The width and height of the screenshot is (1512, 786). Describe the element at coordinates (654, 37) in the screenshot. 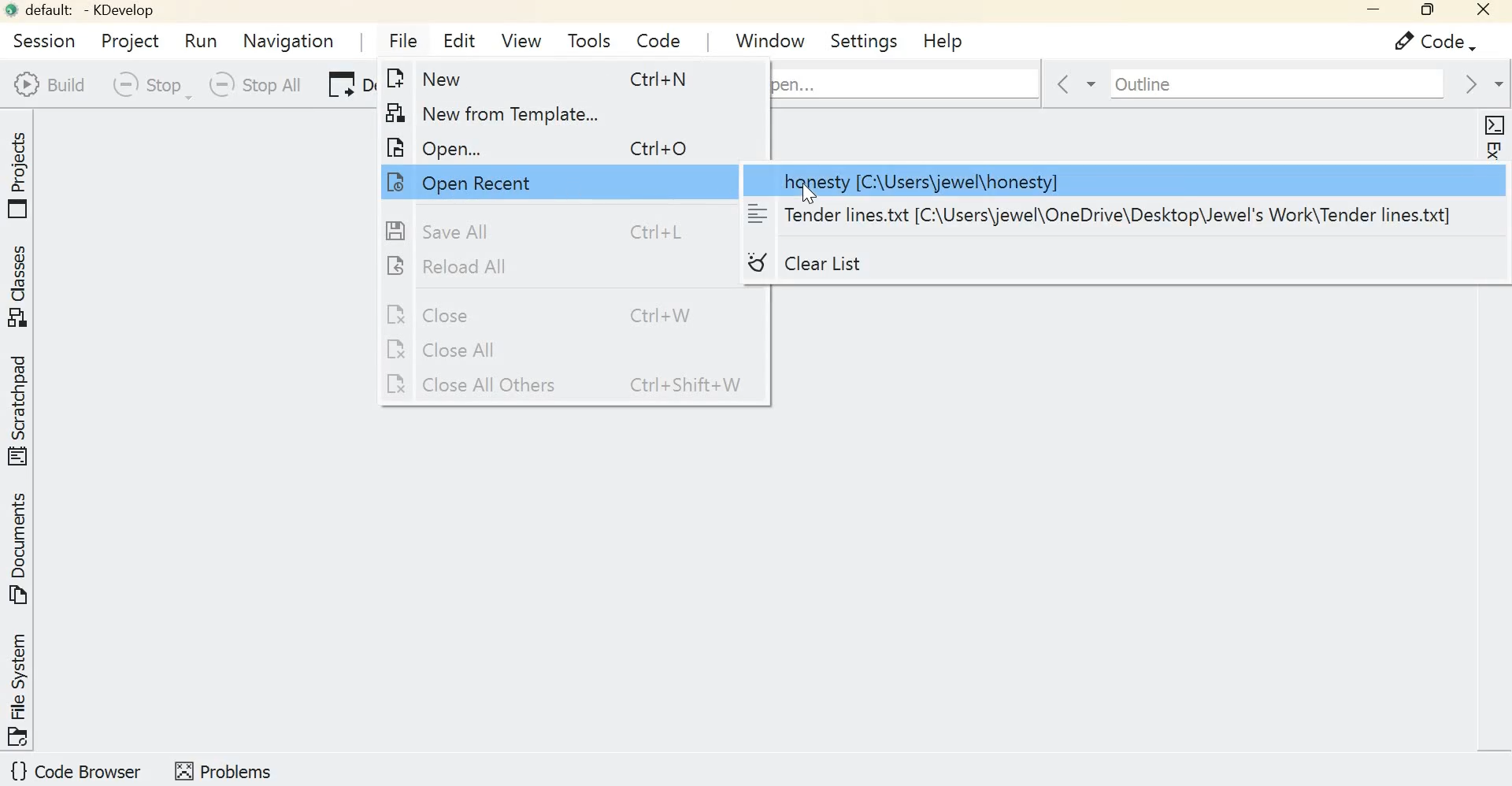

I see `Code` at that location.